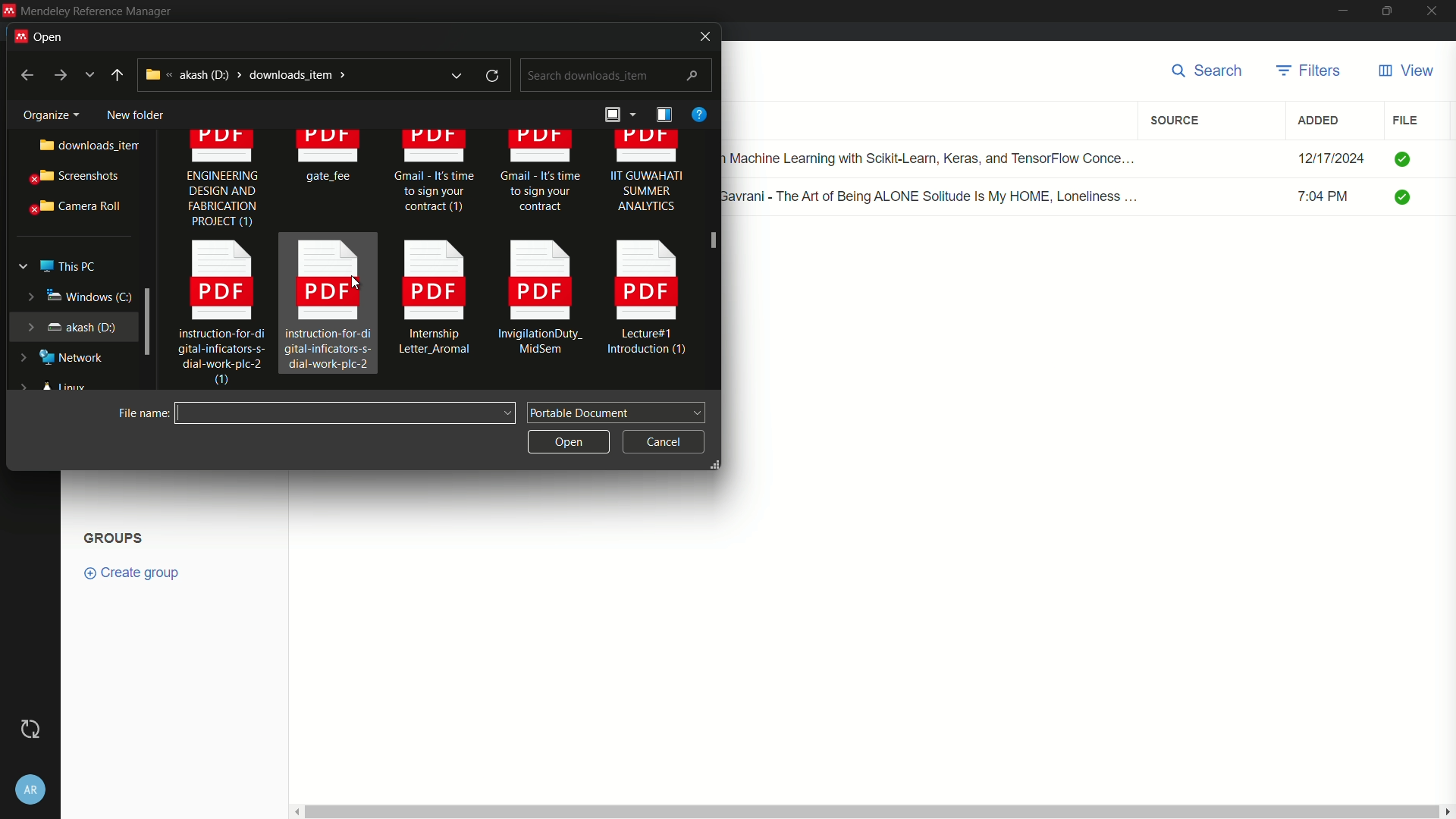 Image resolution: width=1456 pixels, height=819 pixels. I want to click on 12/17/2024, so click(1331, 158).